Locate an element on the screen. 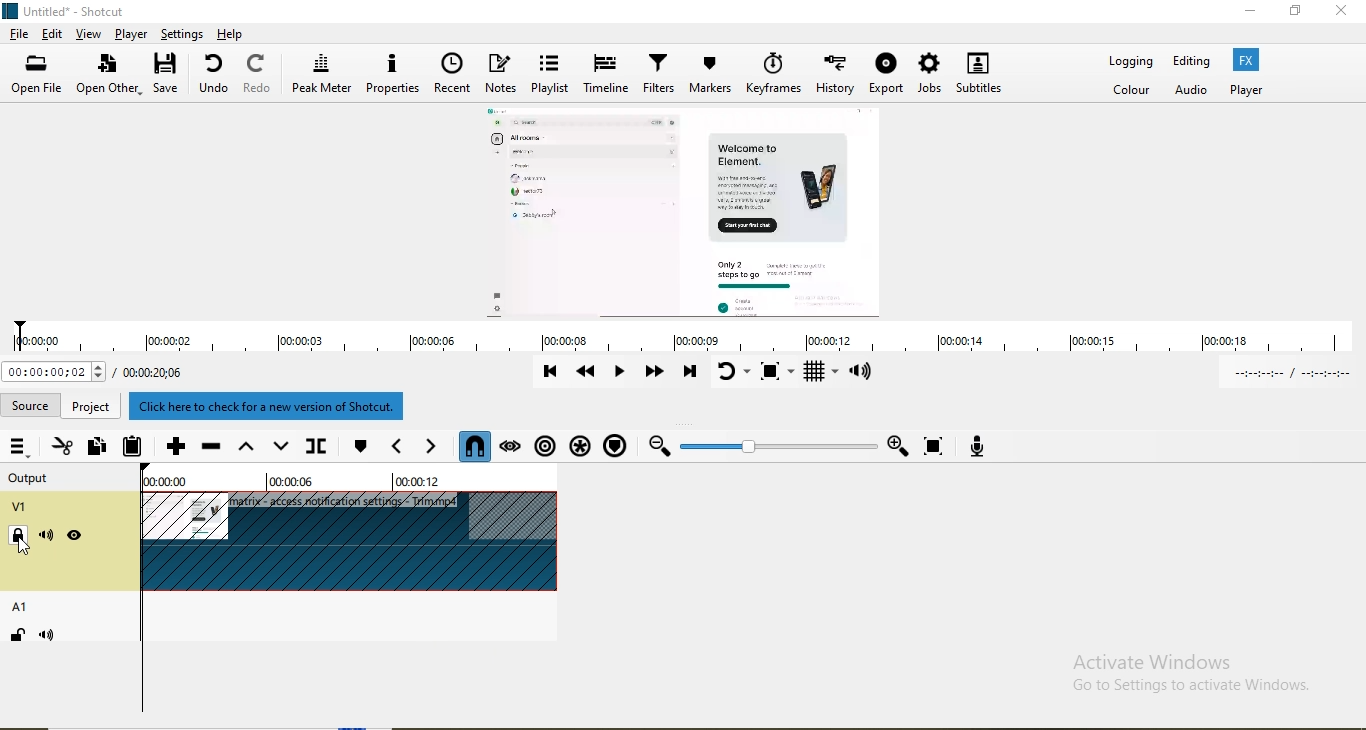 This screenshot has width=1366, height=730. Timeline menu is located at coordinates (20, 447).